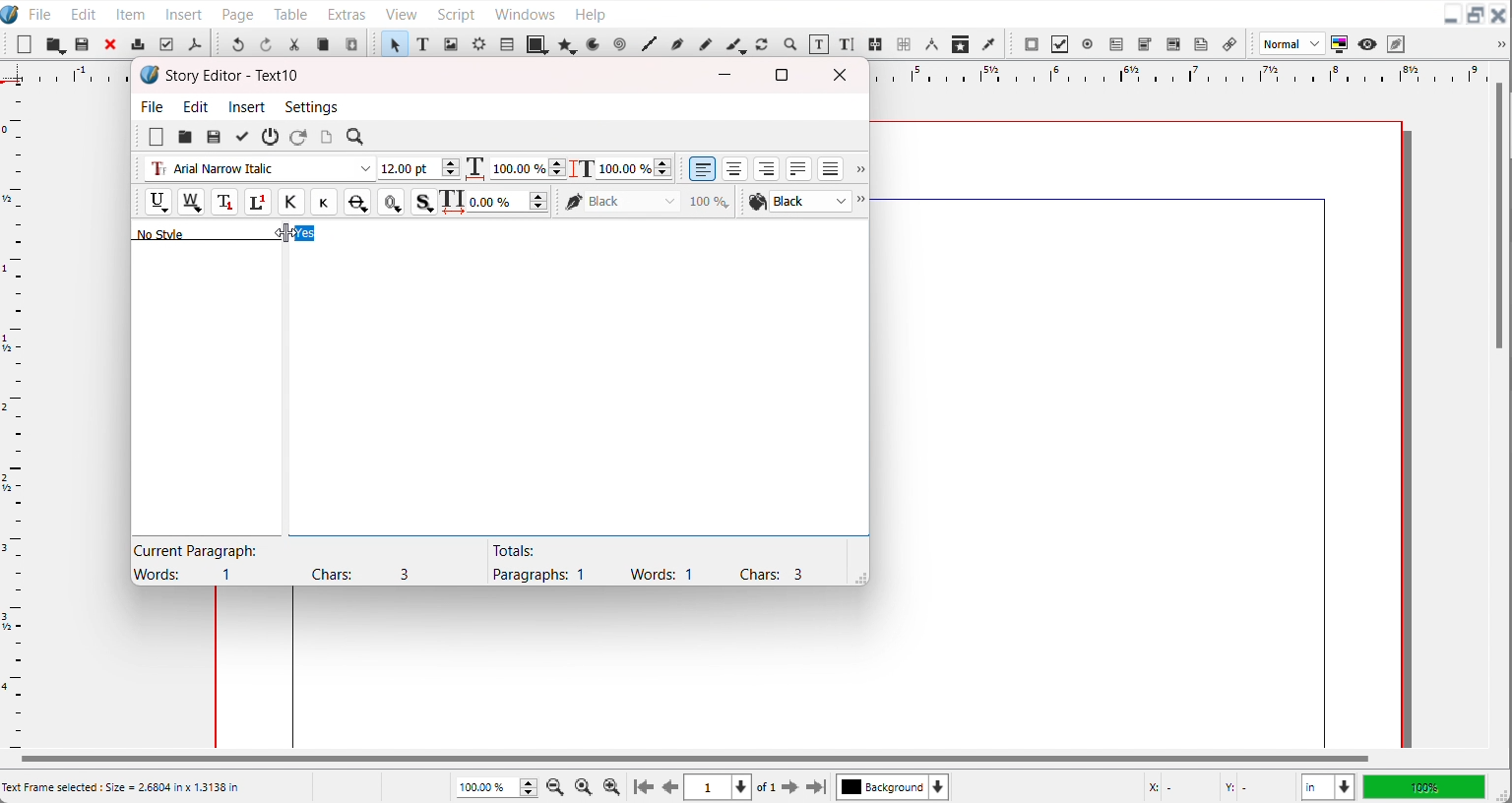  Describe the element at coordinates (478, 43) in the screenshot. I see `Render Frame` at that location.